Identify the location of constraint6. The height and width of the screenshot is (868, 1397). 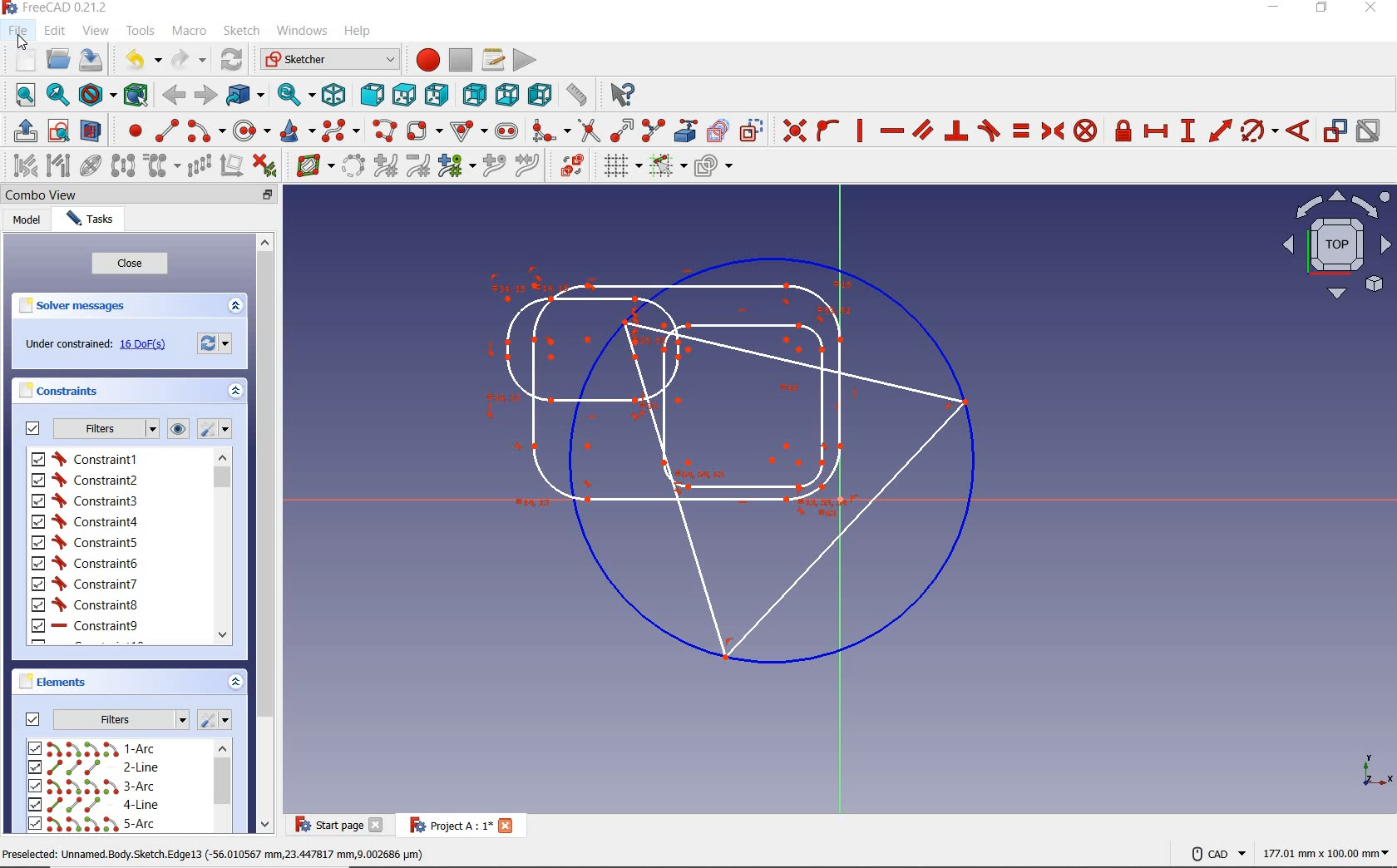
(86, 562).